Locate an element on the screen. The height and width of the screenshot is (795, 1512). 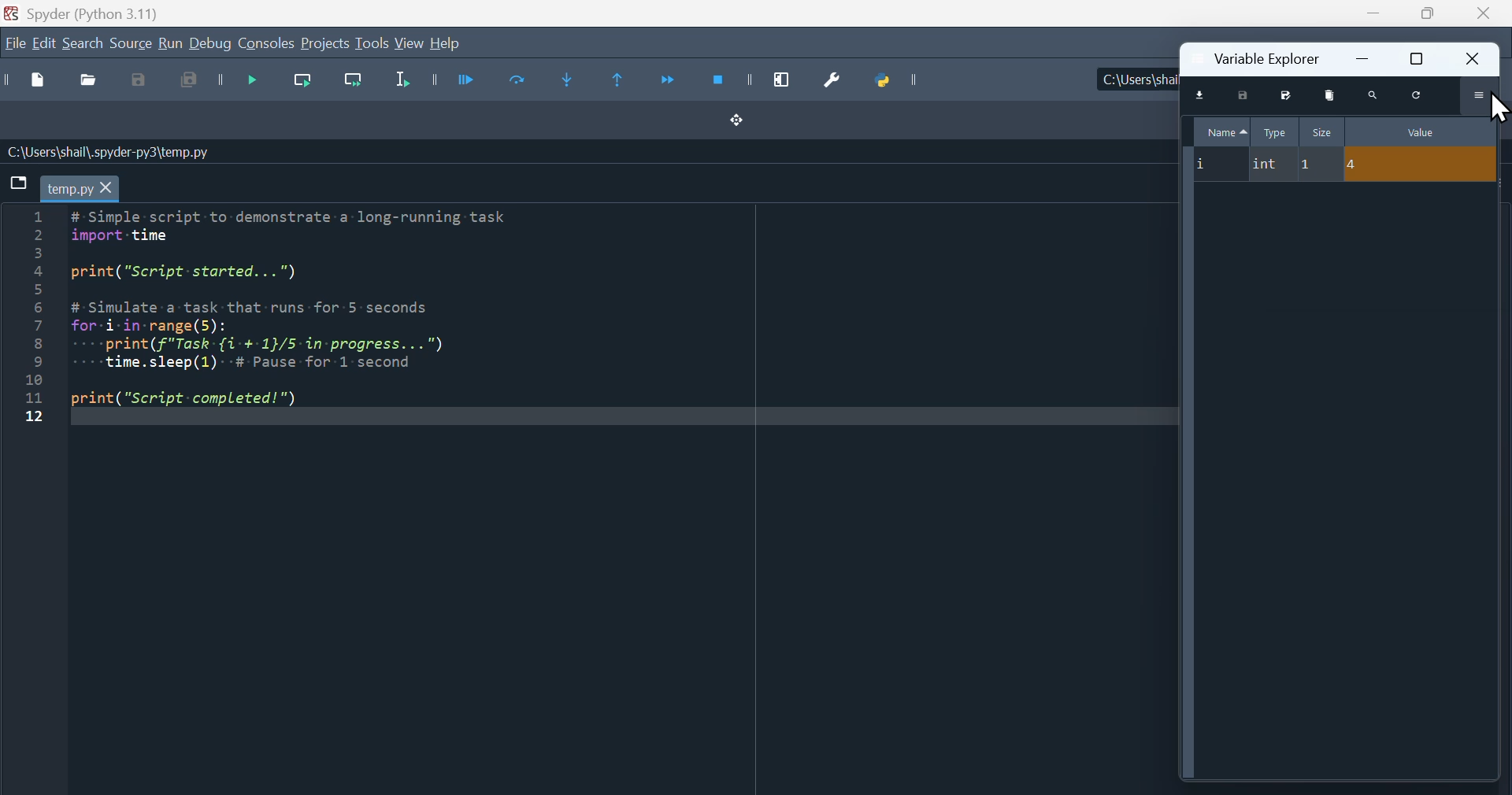
Projects is located at coordinates (325, 44).